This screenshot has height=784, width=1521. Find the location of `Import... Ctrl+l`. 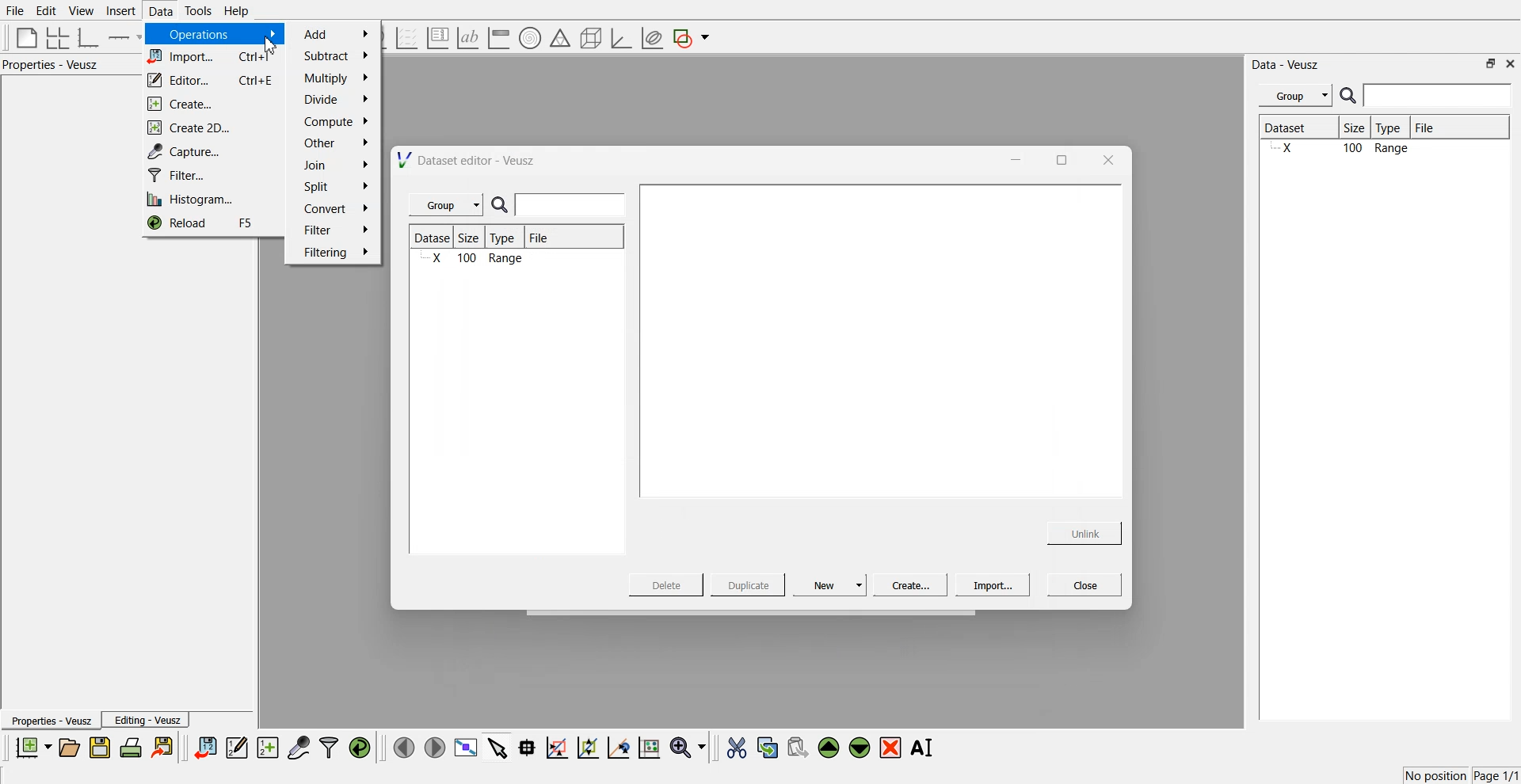

Import... Ctrl+l is located at coordinates (212, 58).